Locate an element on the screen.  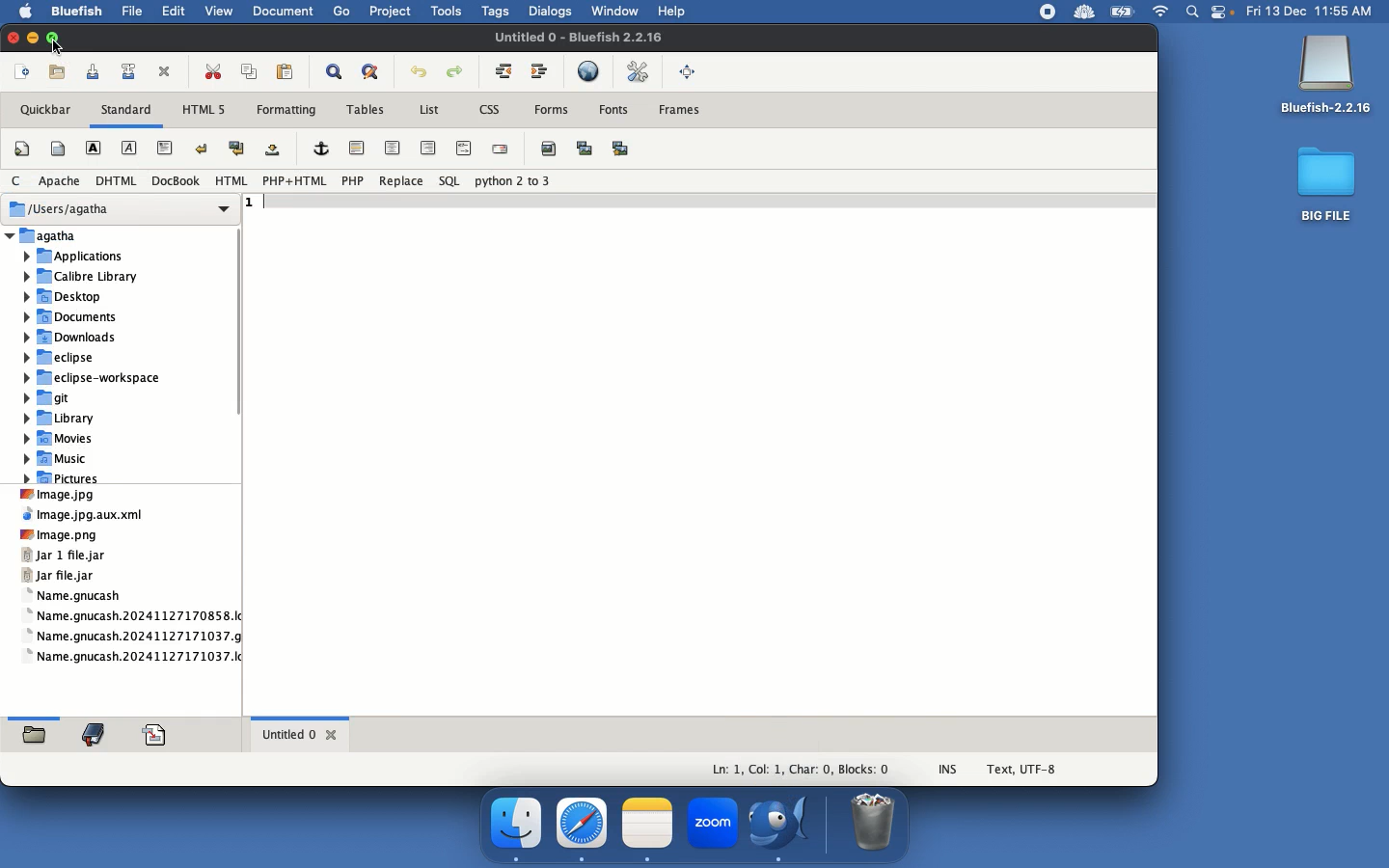
C is located at coordinates (14, 182).